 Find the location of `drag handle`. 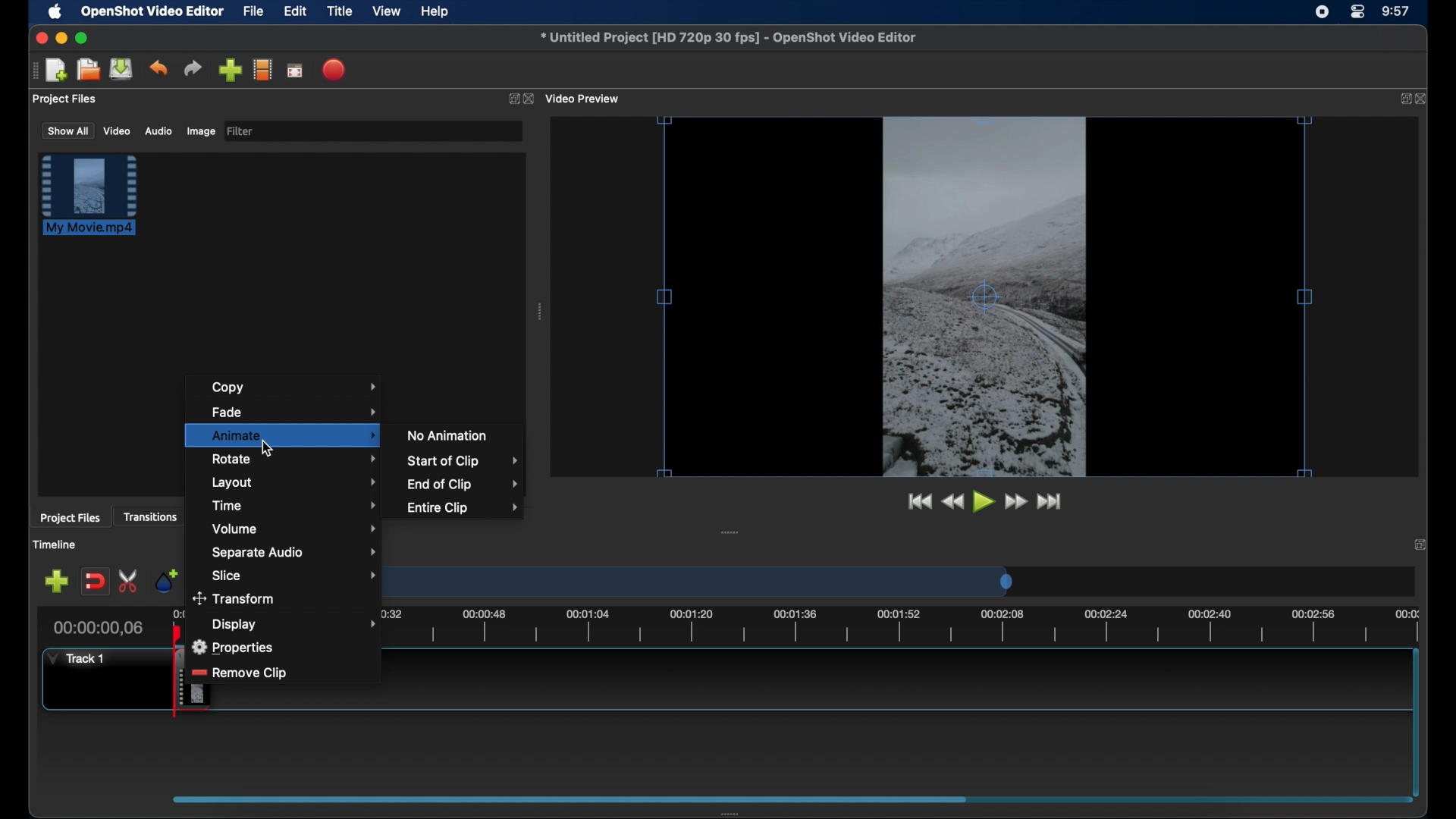

drag handle is located at coordinates (34, 71).